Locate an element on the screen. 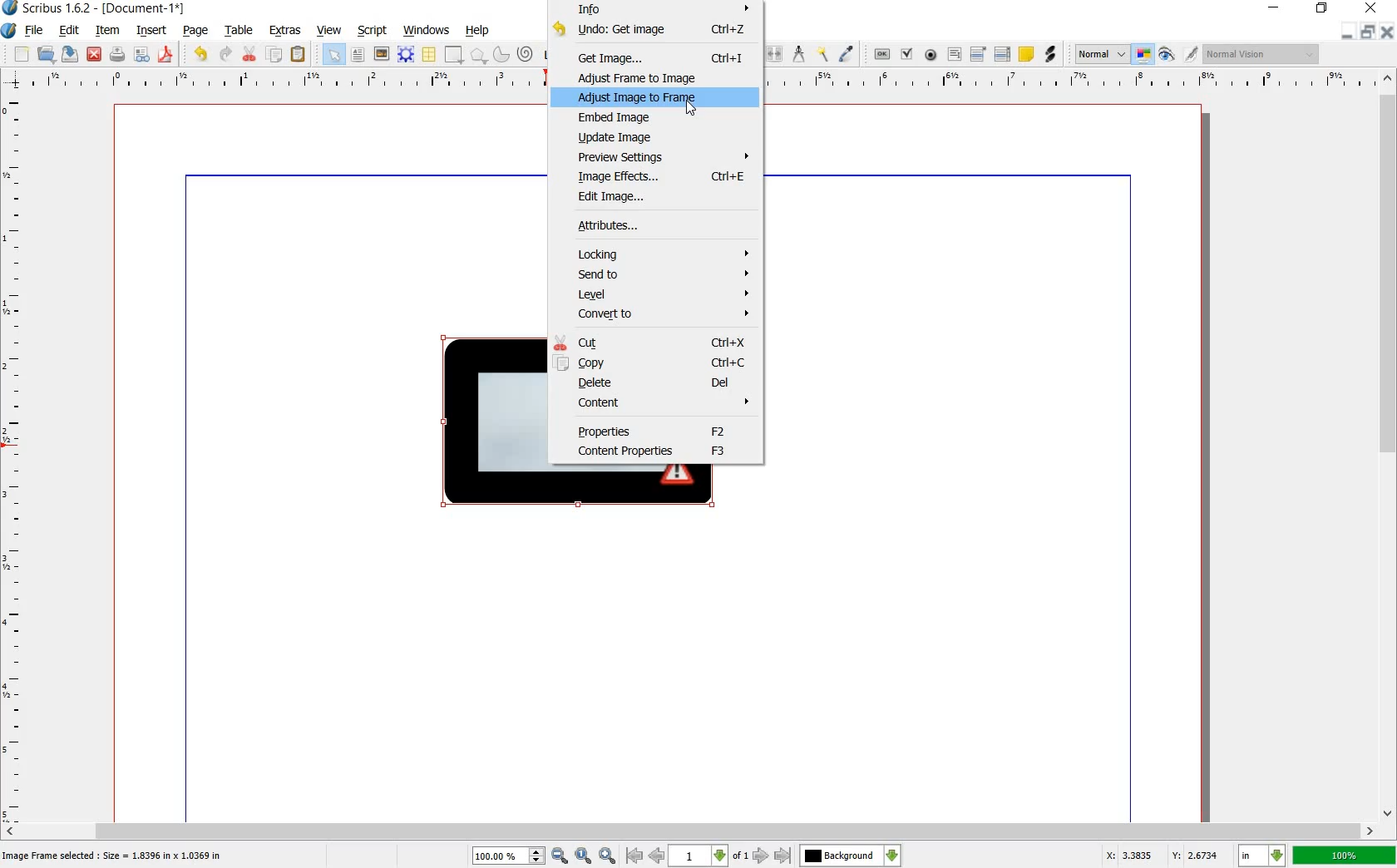 This screenshot has width=1397, height=868. next page is located at coordinates (759, 856).